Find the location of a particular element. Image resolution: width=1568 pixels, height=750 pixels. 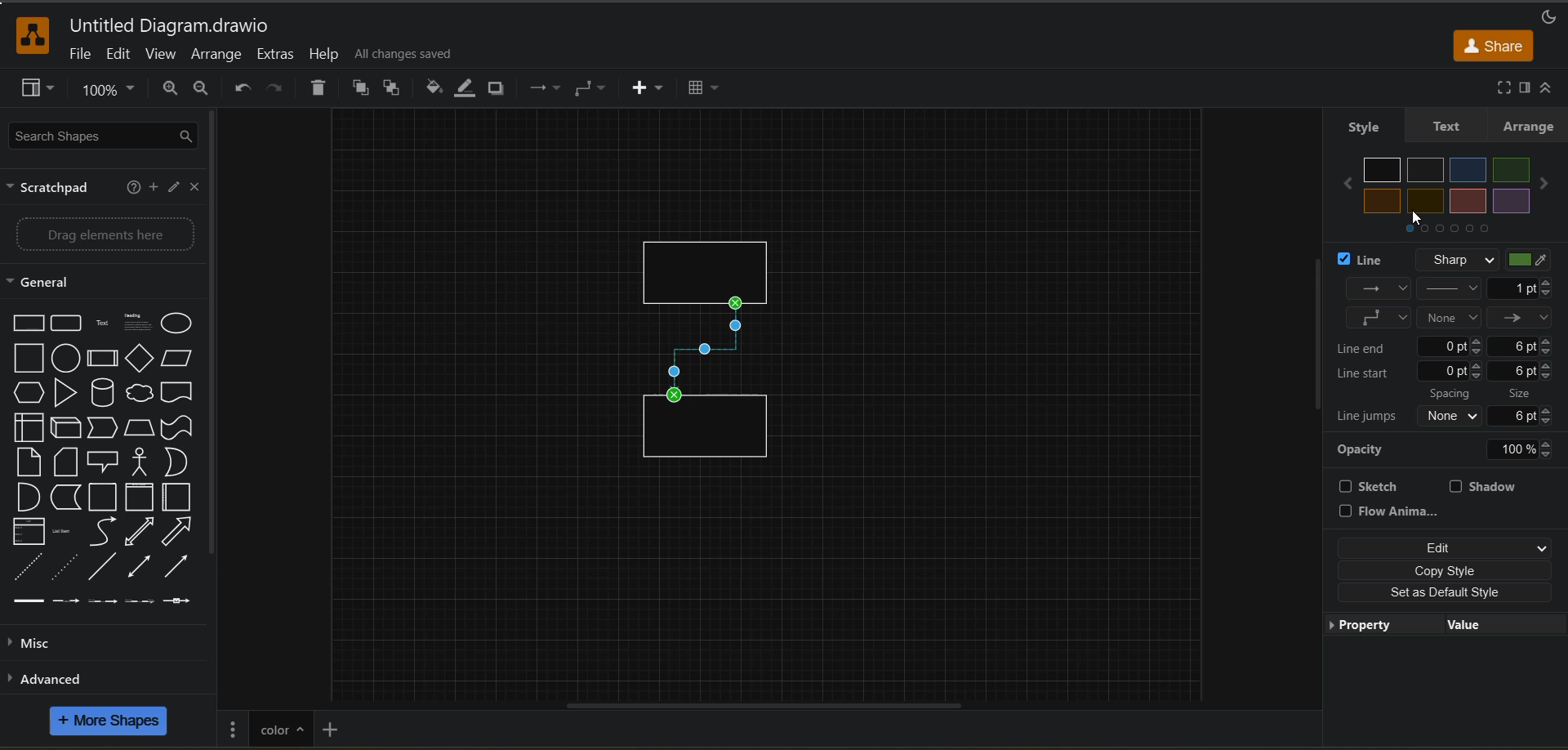

to back is located at coordinates (394, 90).